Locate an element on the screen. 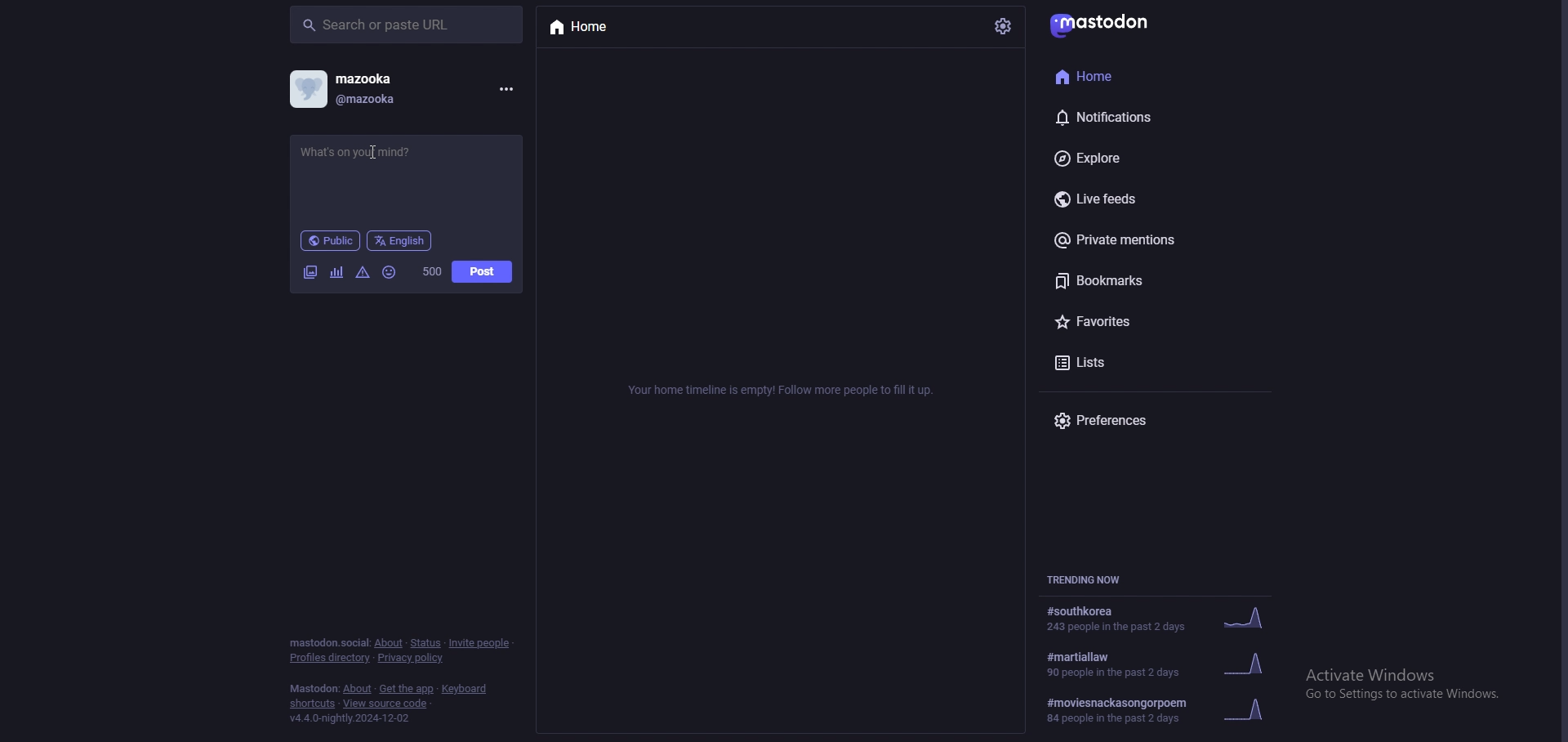 The width and height of the screenshot is (1568, 742). mastodon social is located at coordinates (328, 642).